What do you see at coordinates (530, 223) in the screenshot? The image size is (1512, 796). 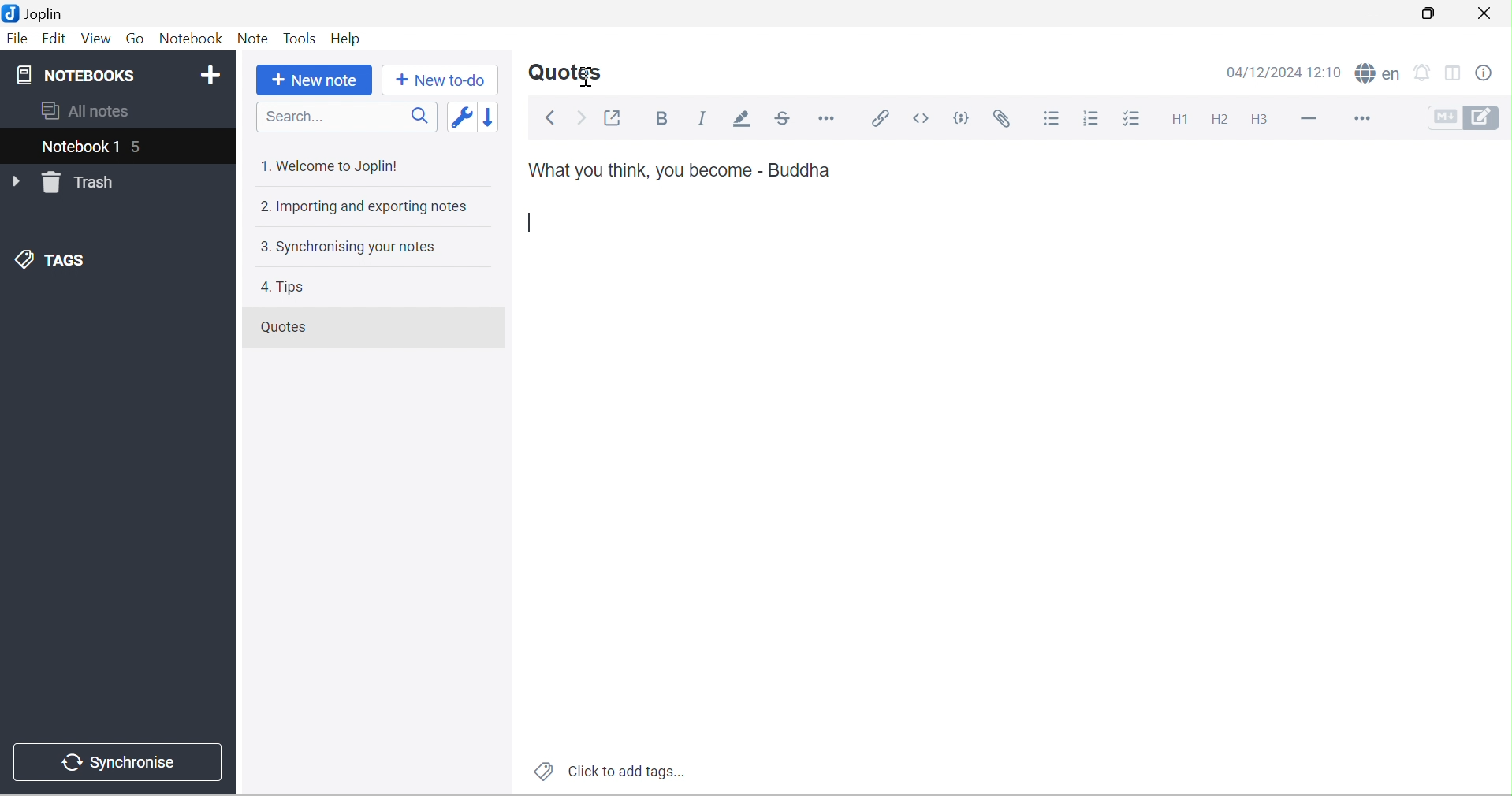 I see `Typing cursor` at bounding box center [530, 223].